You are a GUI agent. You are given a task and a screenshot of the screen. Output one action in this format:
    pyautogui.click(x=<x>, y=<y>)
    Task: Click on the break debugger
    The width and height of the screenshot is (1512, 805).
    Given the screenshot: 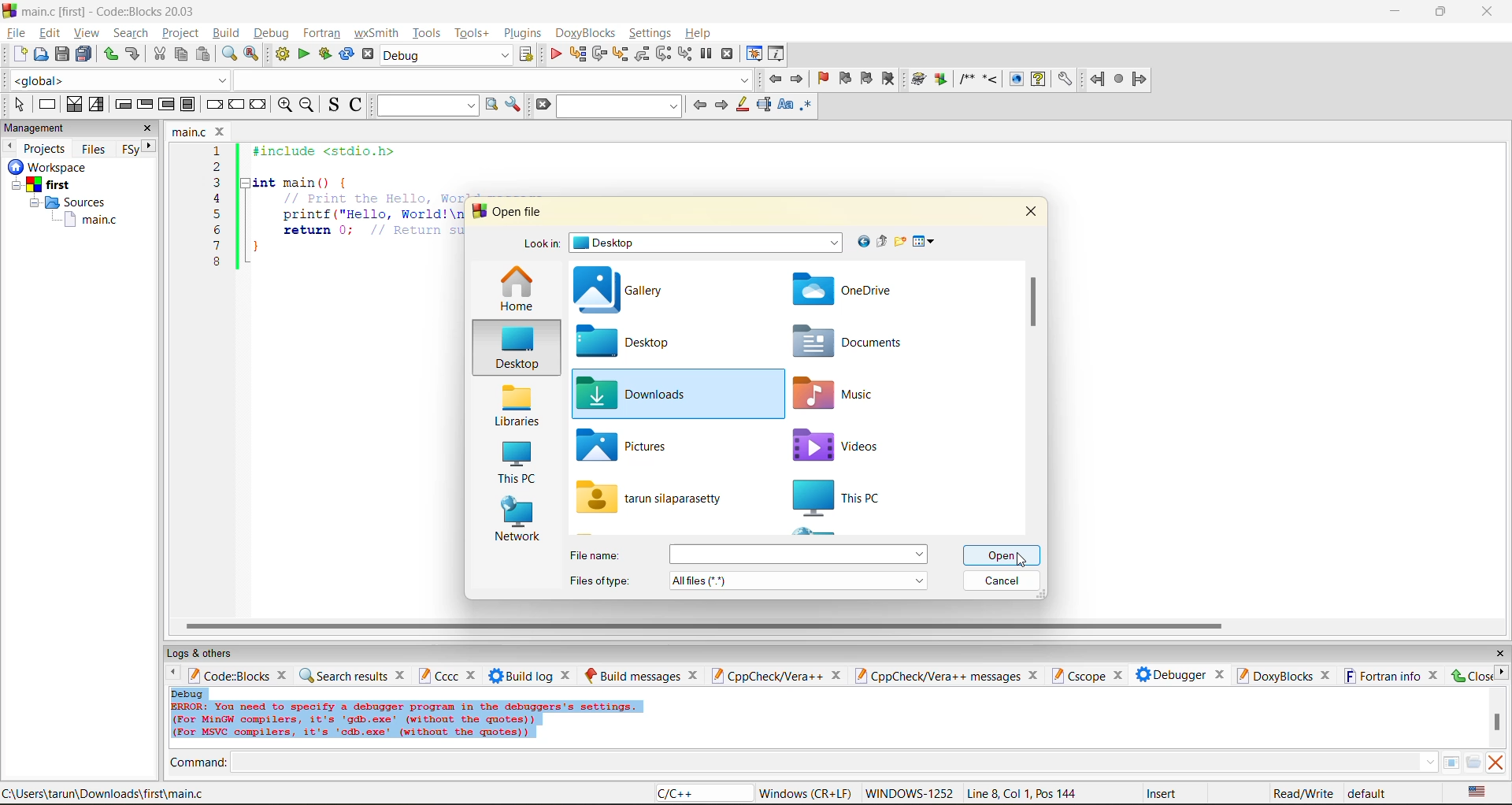 What is the action you would take?
    pyautogui.click(x=706, y=54)
    